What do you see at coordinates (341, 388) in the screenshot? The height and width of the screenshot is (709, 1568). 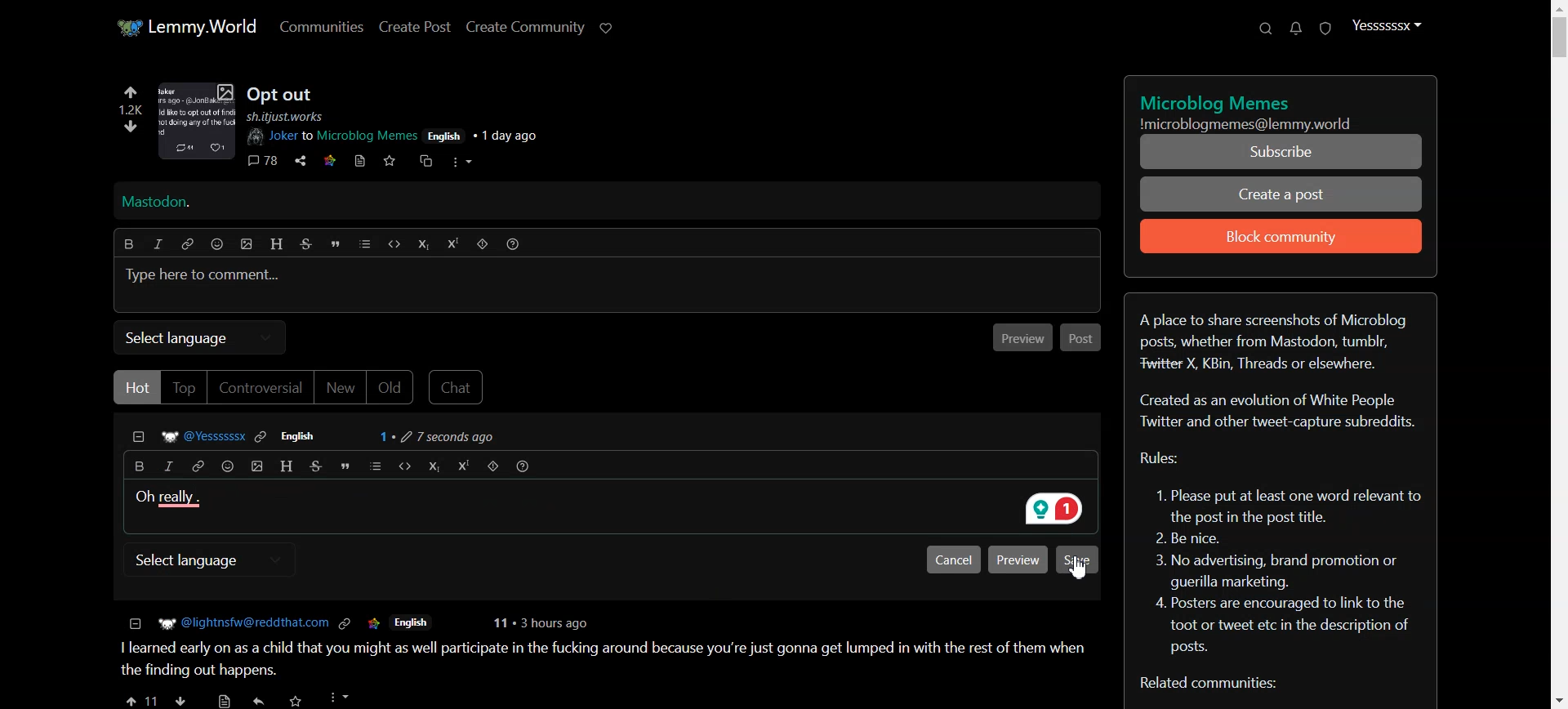 I see `New` at bounding box center [341, 388].